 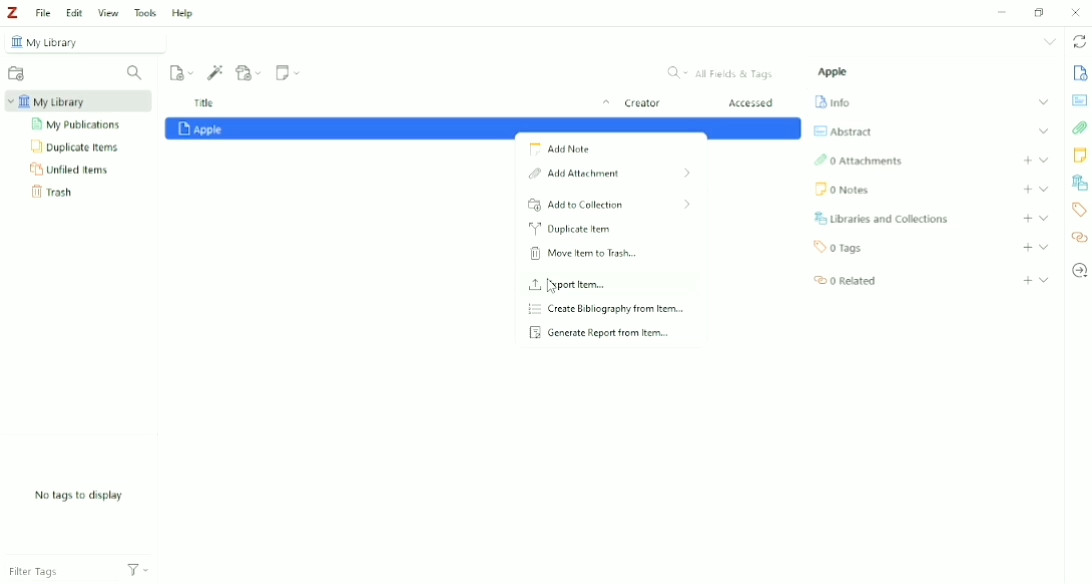 I want to click on Tags, so click(x=1080, y=210).